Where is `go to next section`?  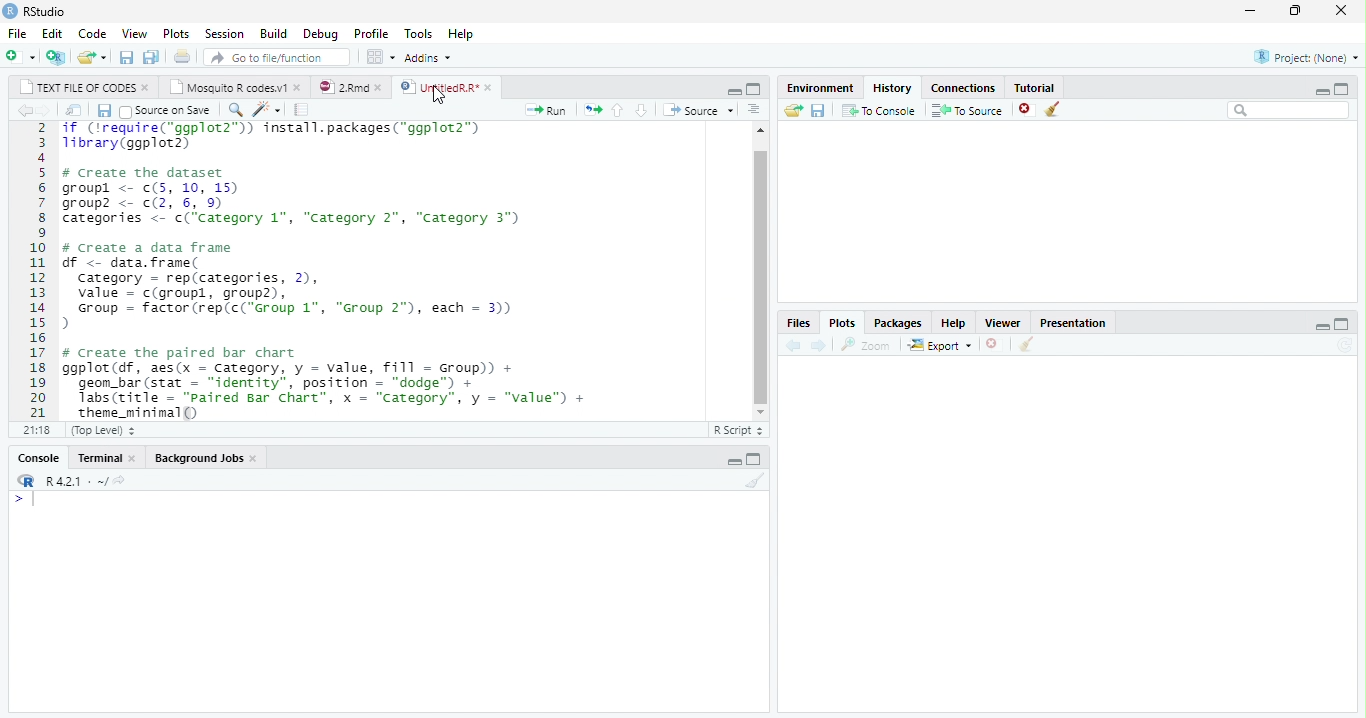 go to next section is located at coordinates (642, 110).